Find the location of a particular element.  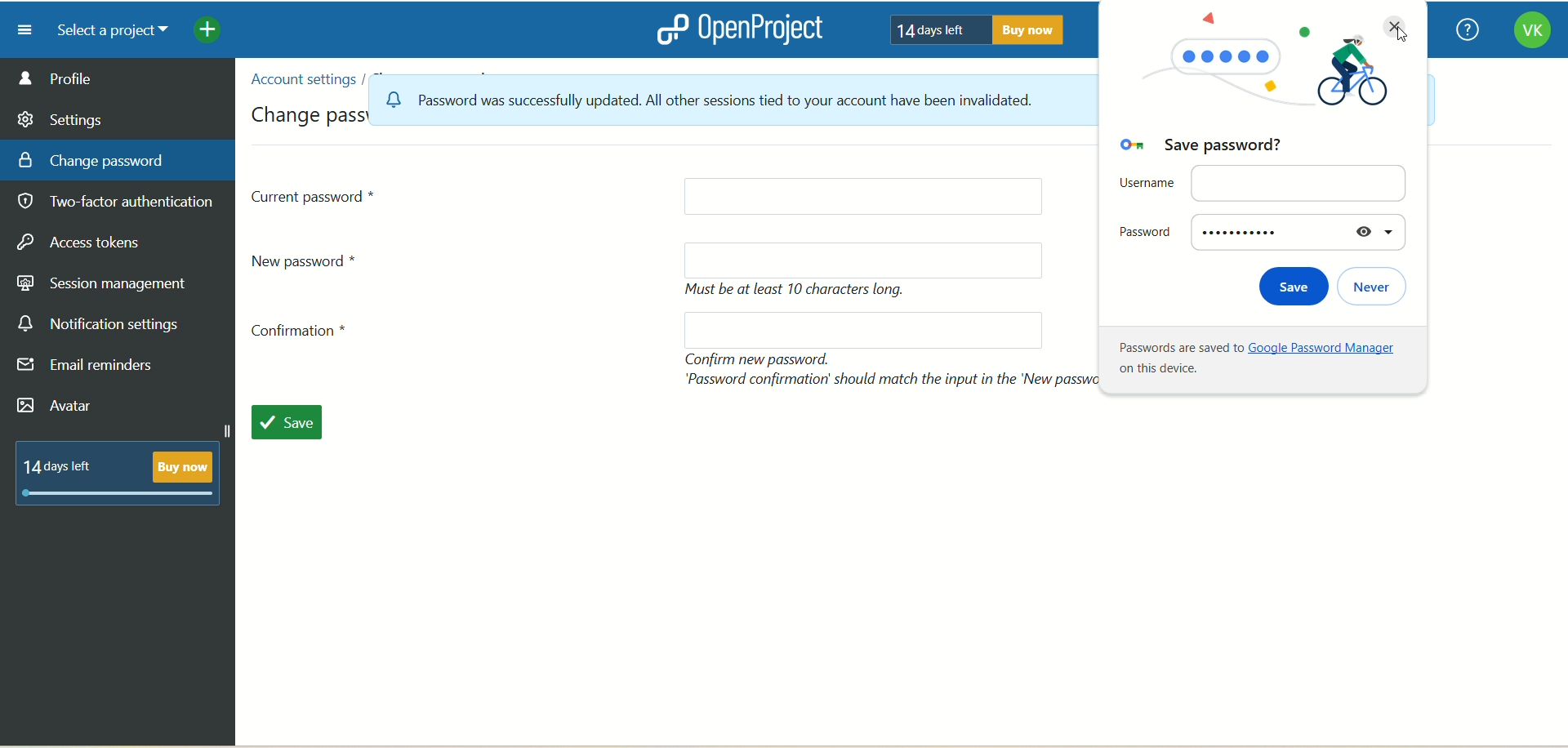

profile is located at coordinates (118, 78).